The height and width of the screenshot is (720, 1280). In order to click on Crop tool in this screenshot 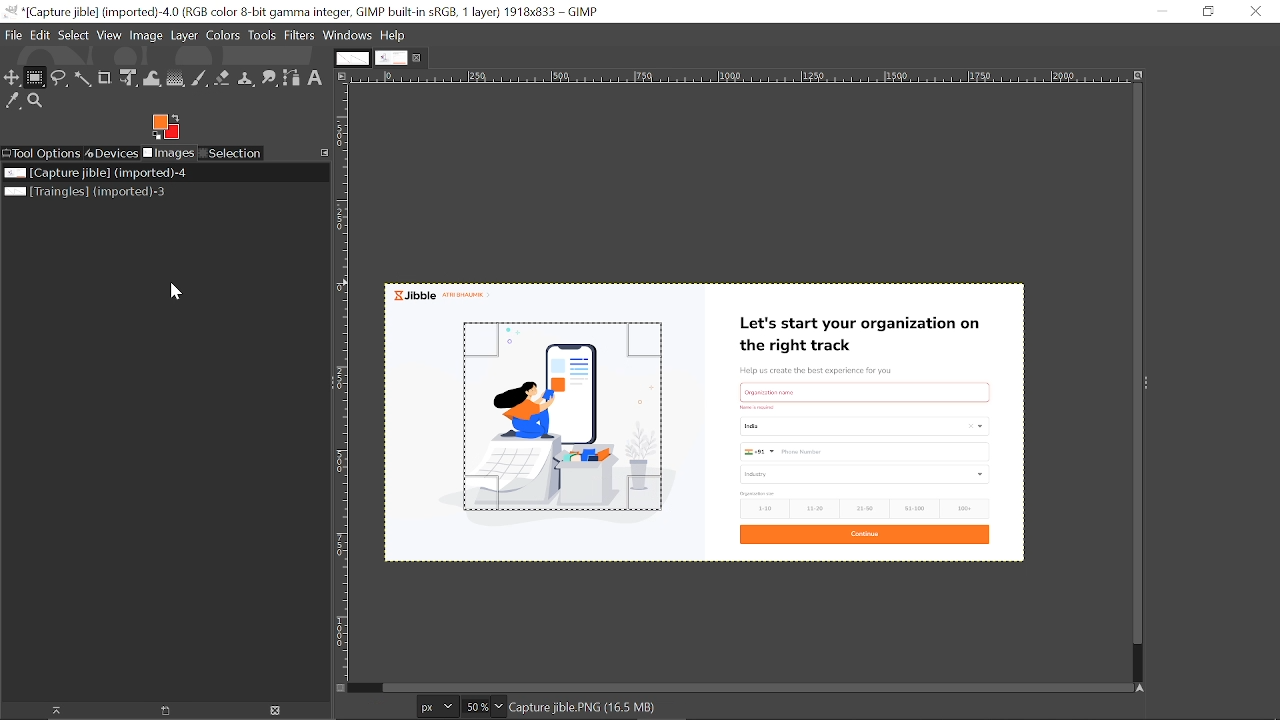, I will do `click(104, 77)`.